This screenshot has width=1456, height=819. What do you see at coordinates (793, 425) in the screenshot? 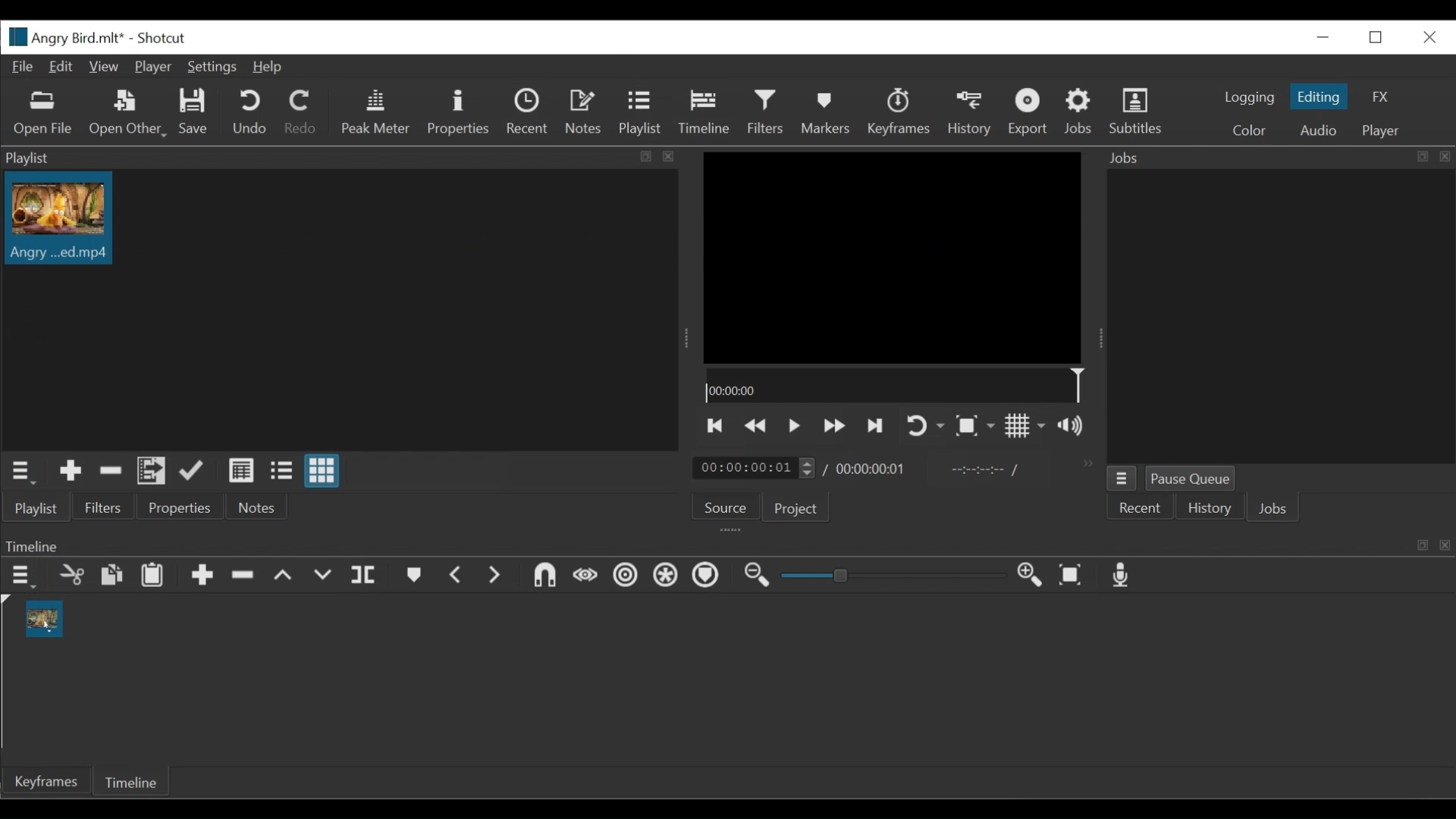
I see `Toggle play or pause` at bounding box center [793, 425].